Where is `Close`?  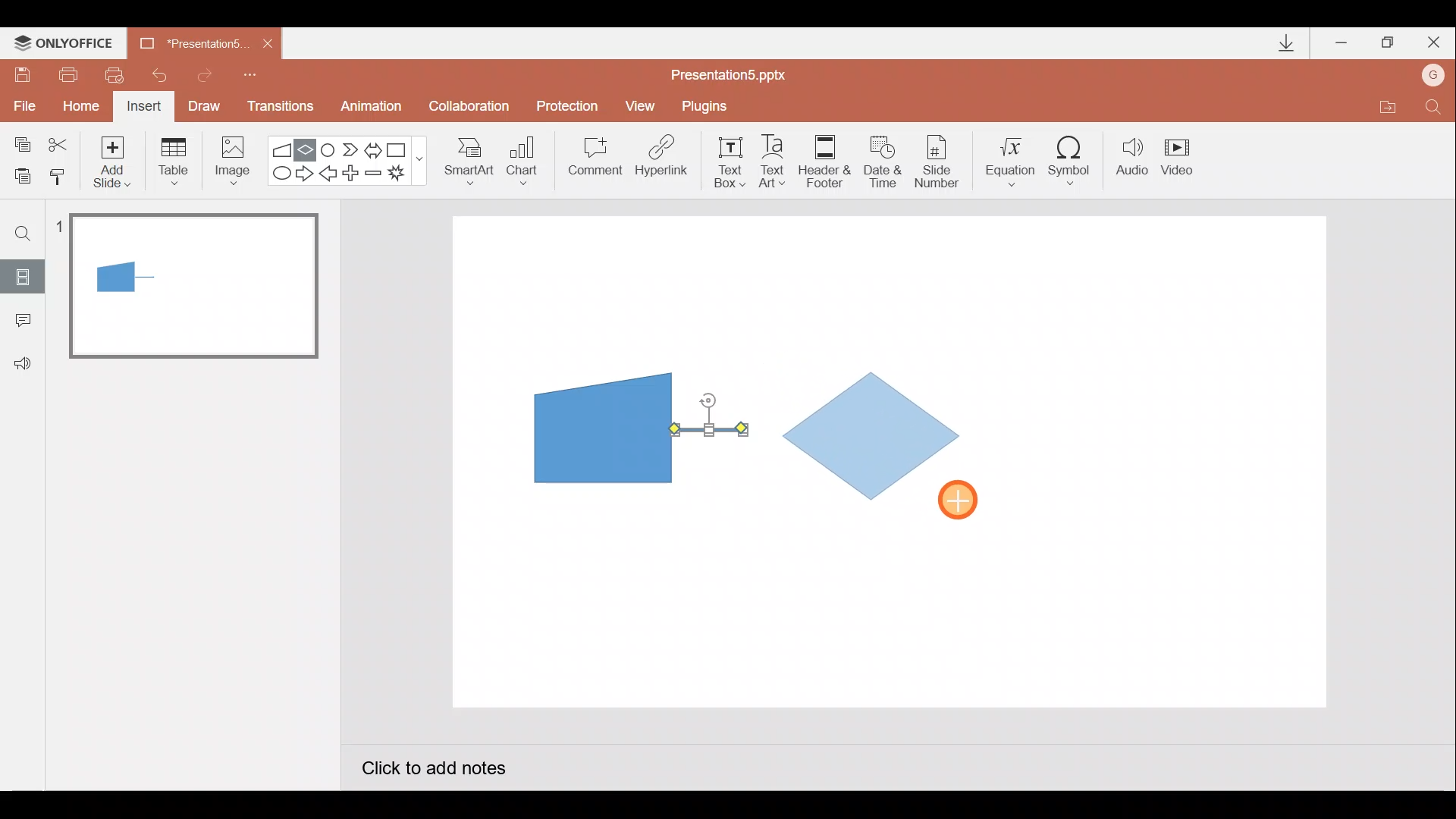
Close is located at coordinates (1434, 45).